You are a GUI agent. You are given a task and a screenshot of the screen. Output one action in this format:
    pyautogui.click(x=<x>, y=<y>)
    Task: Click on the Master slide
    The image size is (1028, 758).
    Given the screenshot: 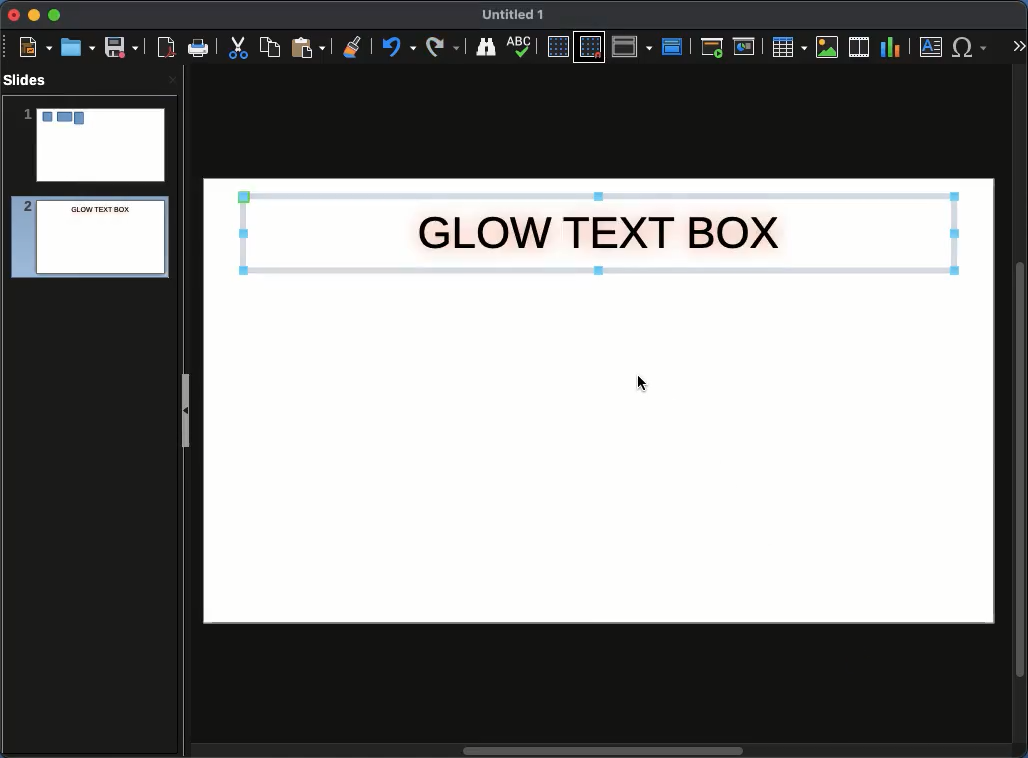 What is the action you would take?
    pyautogui.click(x=675, y=46)
    